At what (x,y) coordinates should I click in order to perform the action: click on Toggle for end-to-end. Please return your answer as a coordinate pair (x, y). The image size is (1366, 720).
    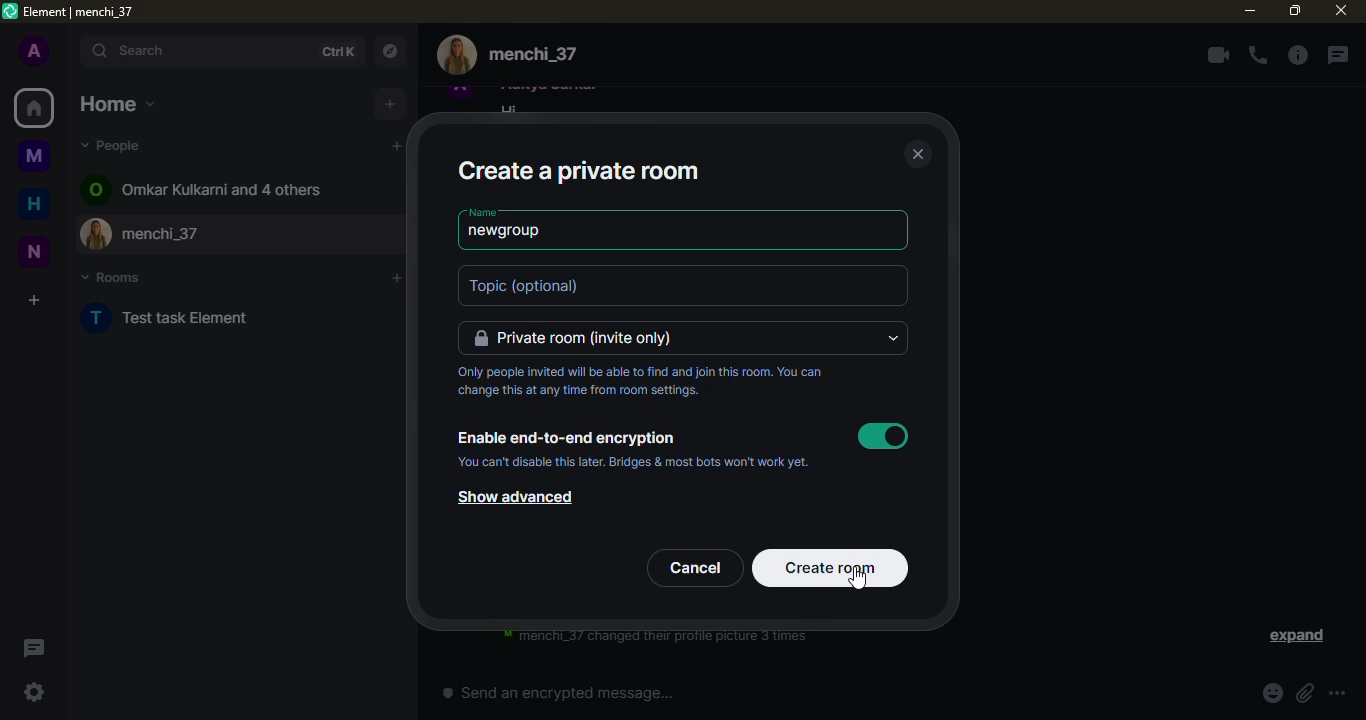
    Looking at the image, I should click on (883, 436).